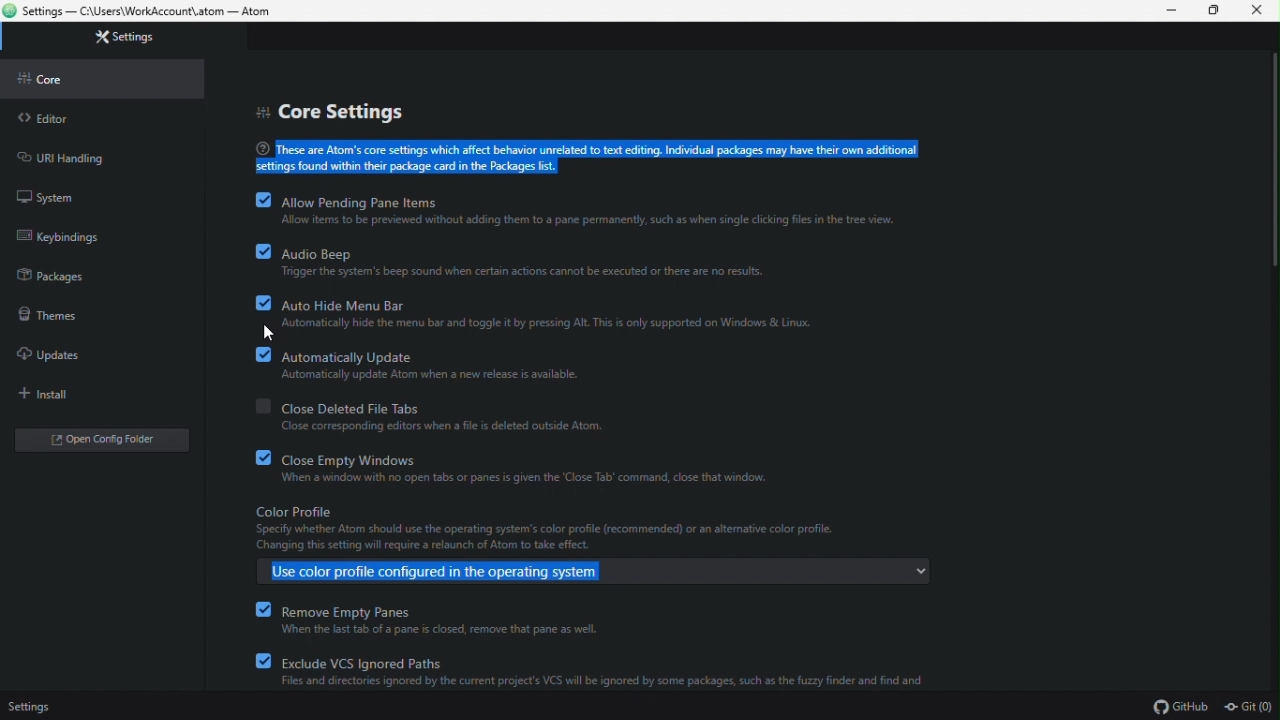  I want to click on open folder, so click(97, 440).